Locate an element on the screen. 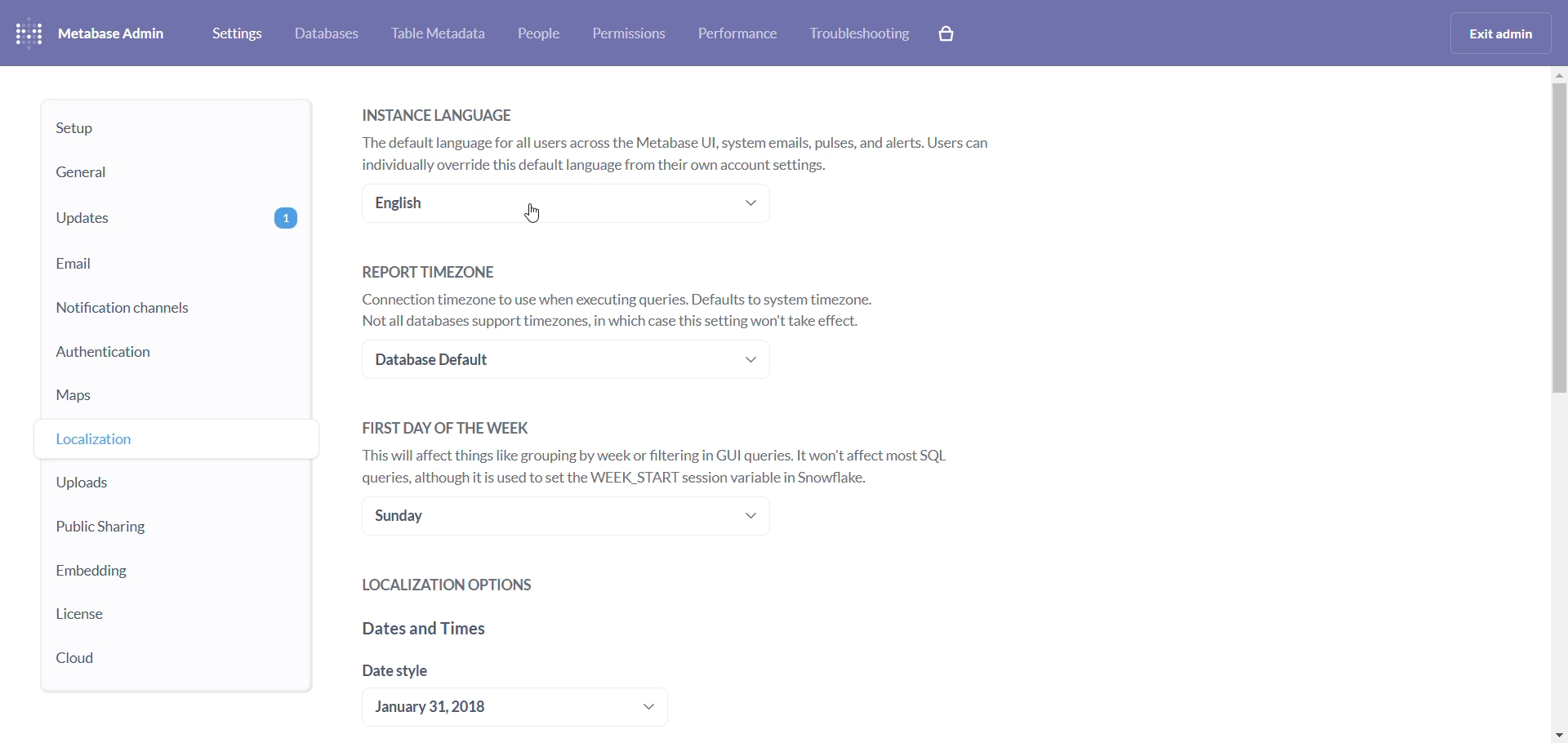  INSTANCE LANGUAGE
The default language for all users across the Metabase UI, system emails, pulses, and alerts. Users can
individually override this default language from their own account settings. is located at coordinates (688, 138).